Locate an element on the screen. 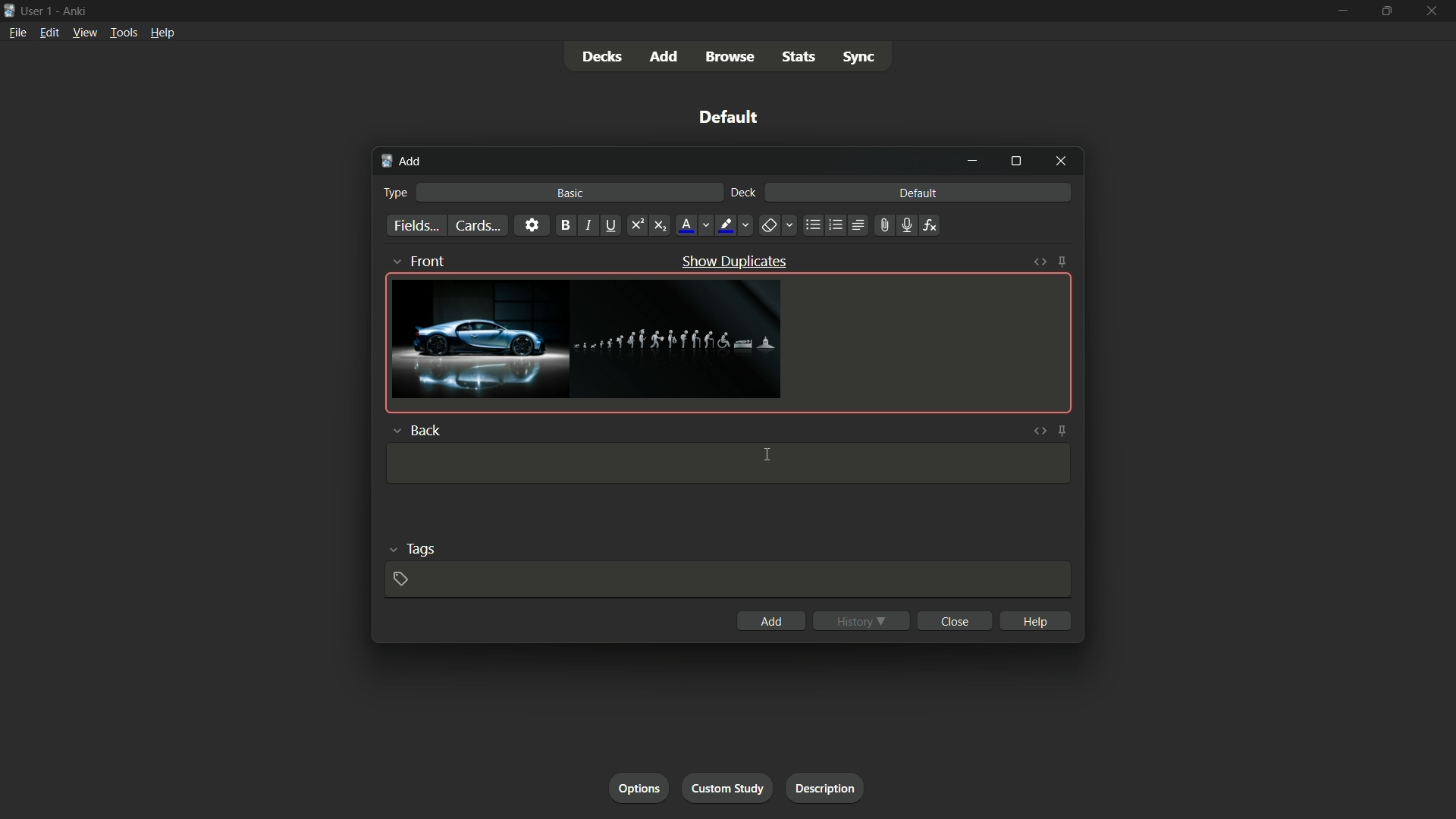 The width and height of the screenshot is (1456, 819). toggle sticky is located at coordinates (1064, 430).